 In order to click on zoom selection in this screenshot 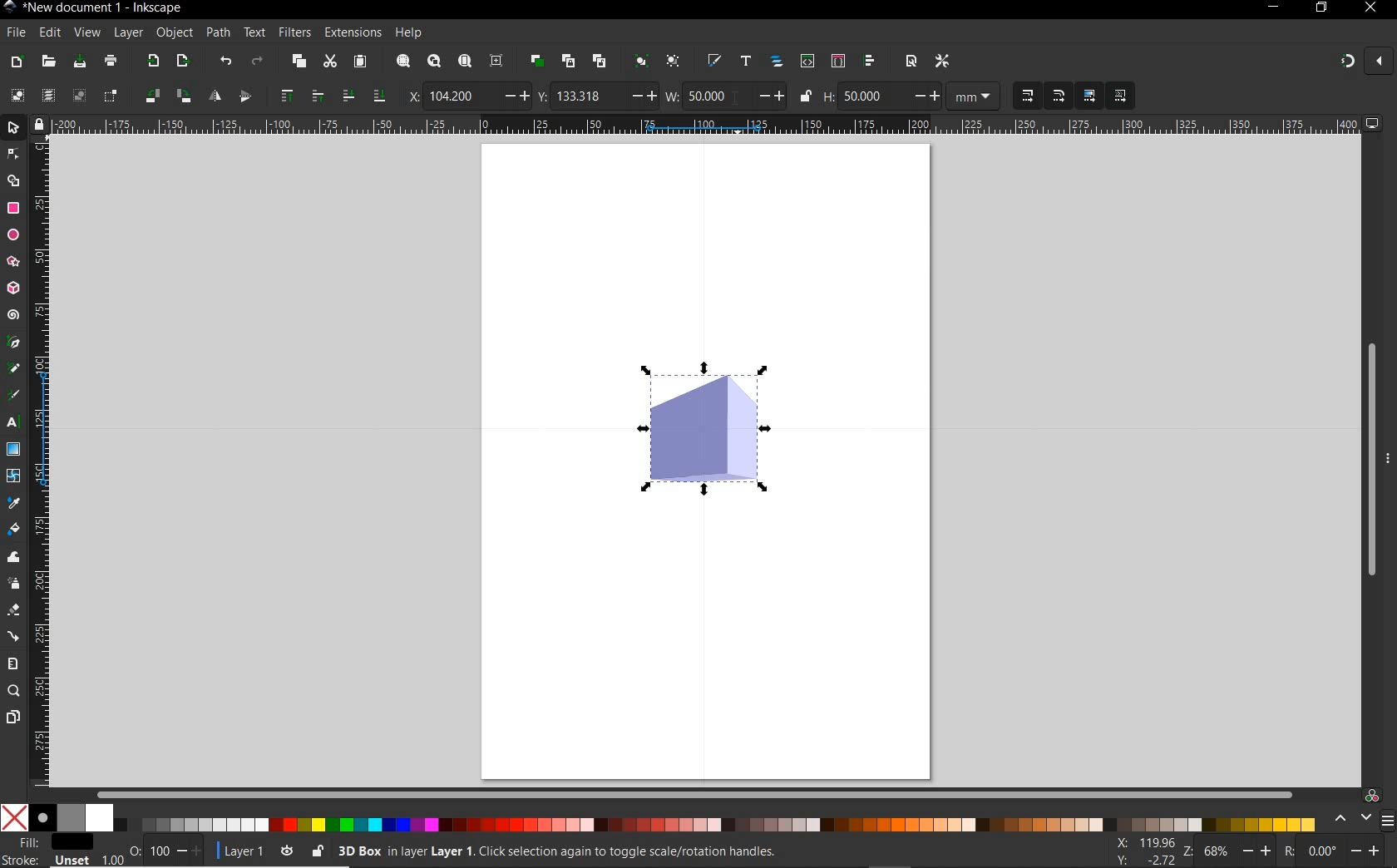, I will do `click(402, 61)`.